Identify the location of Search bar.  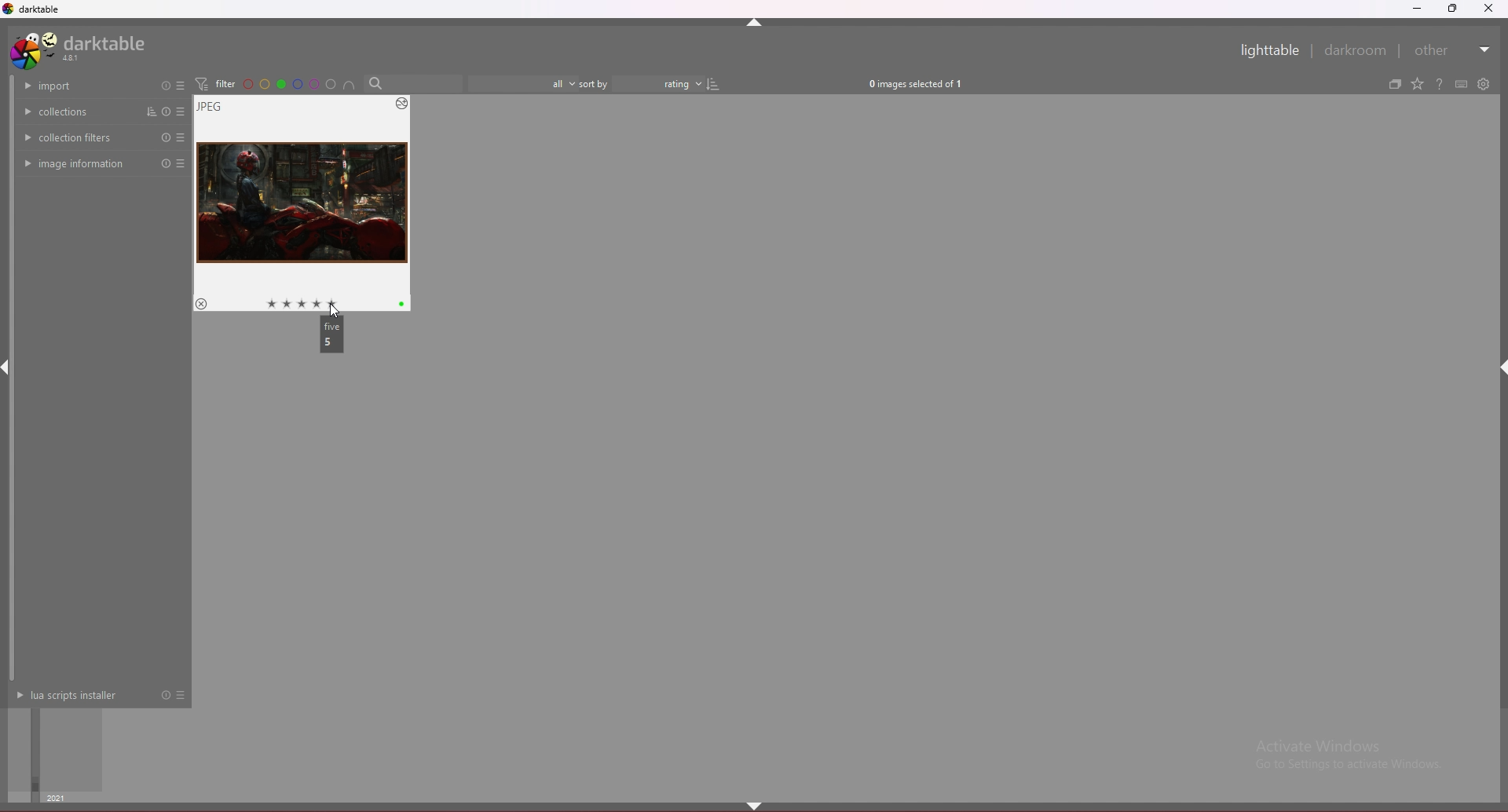
(413, 84).